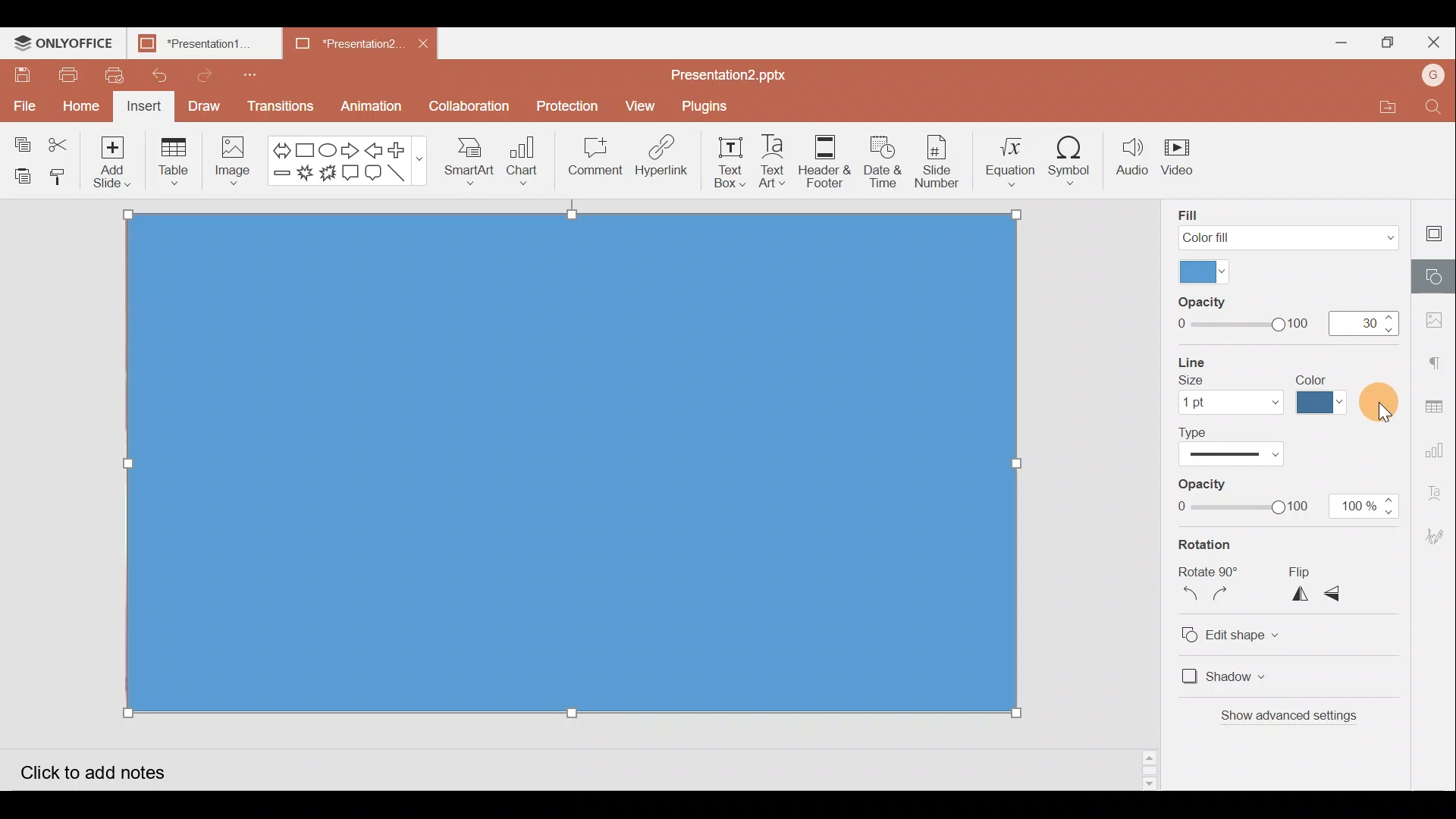 The width and height of the screenshot is (1456, 819). I want to click on Rotate 90 degrees clockwise, so click(1228, 598).